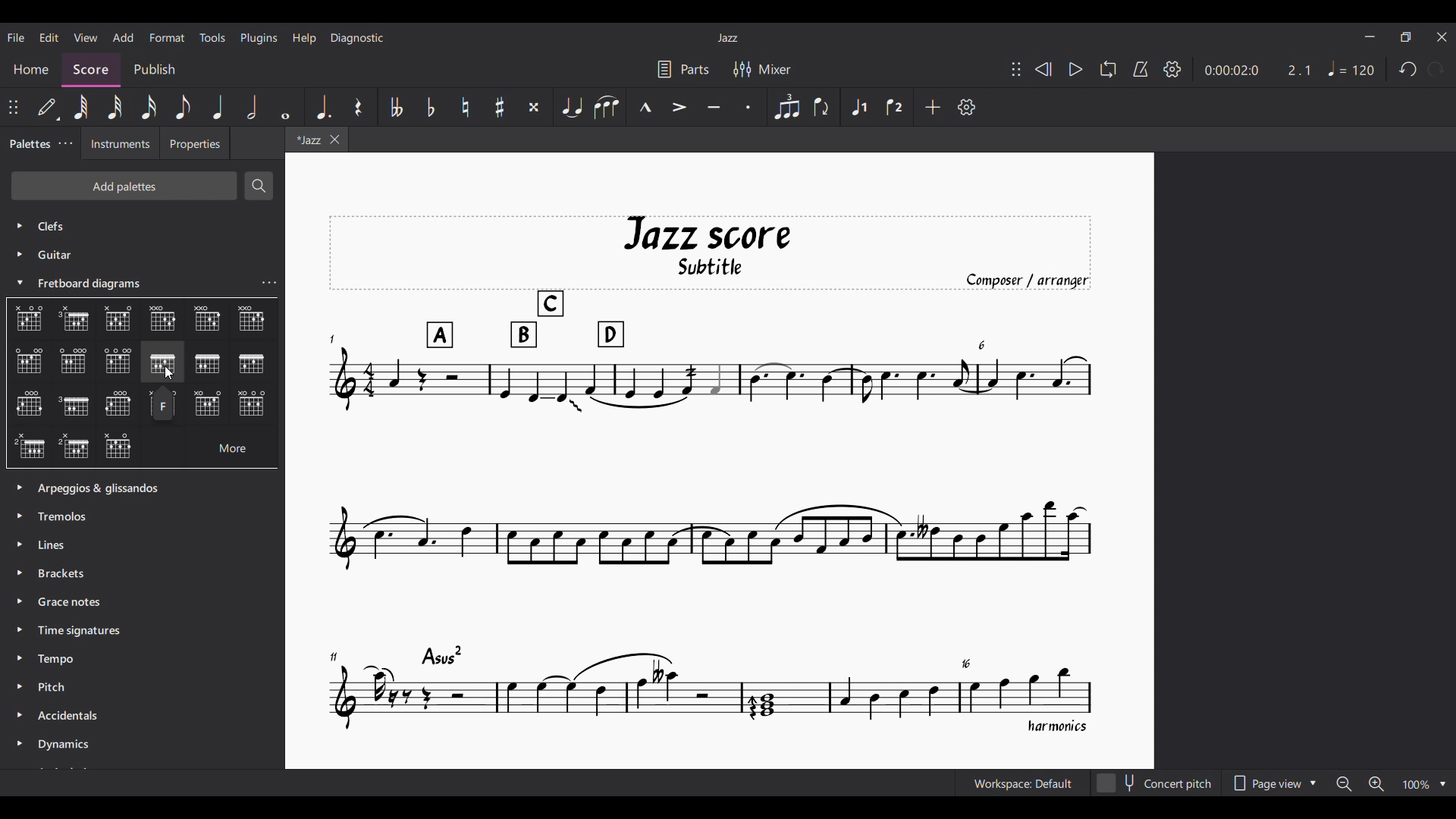  I want to click on Staccato, so click(749, 107).